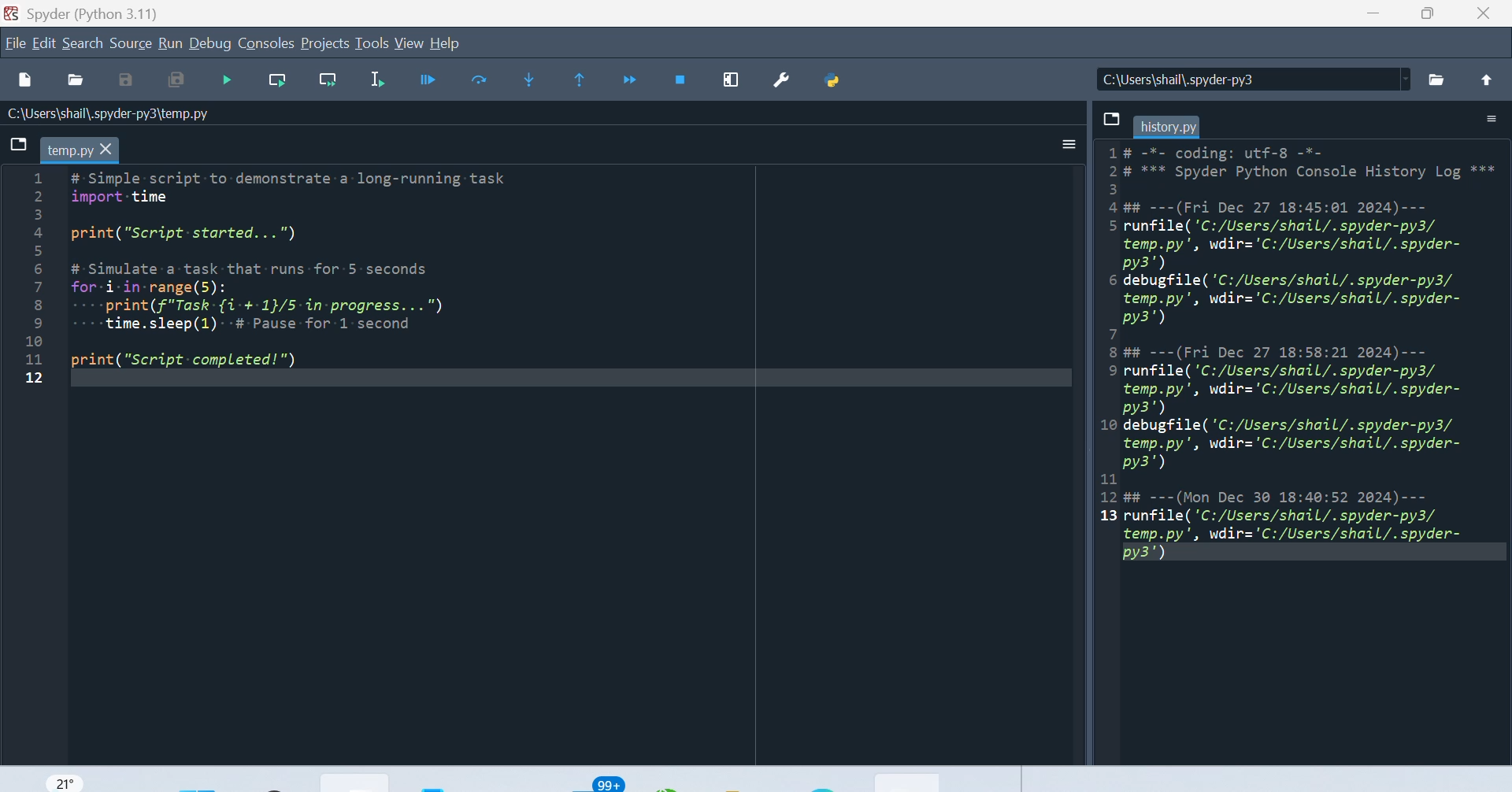  I want to click on Run current line and go to the next one, so click(326, 78).